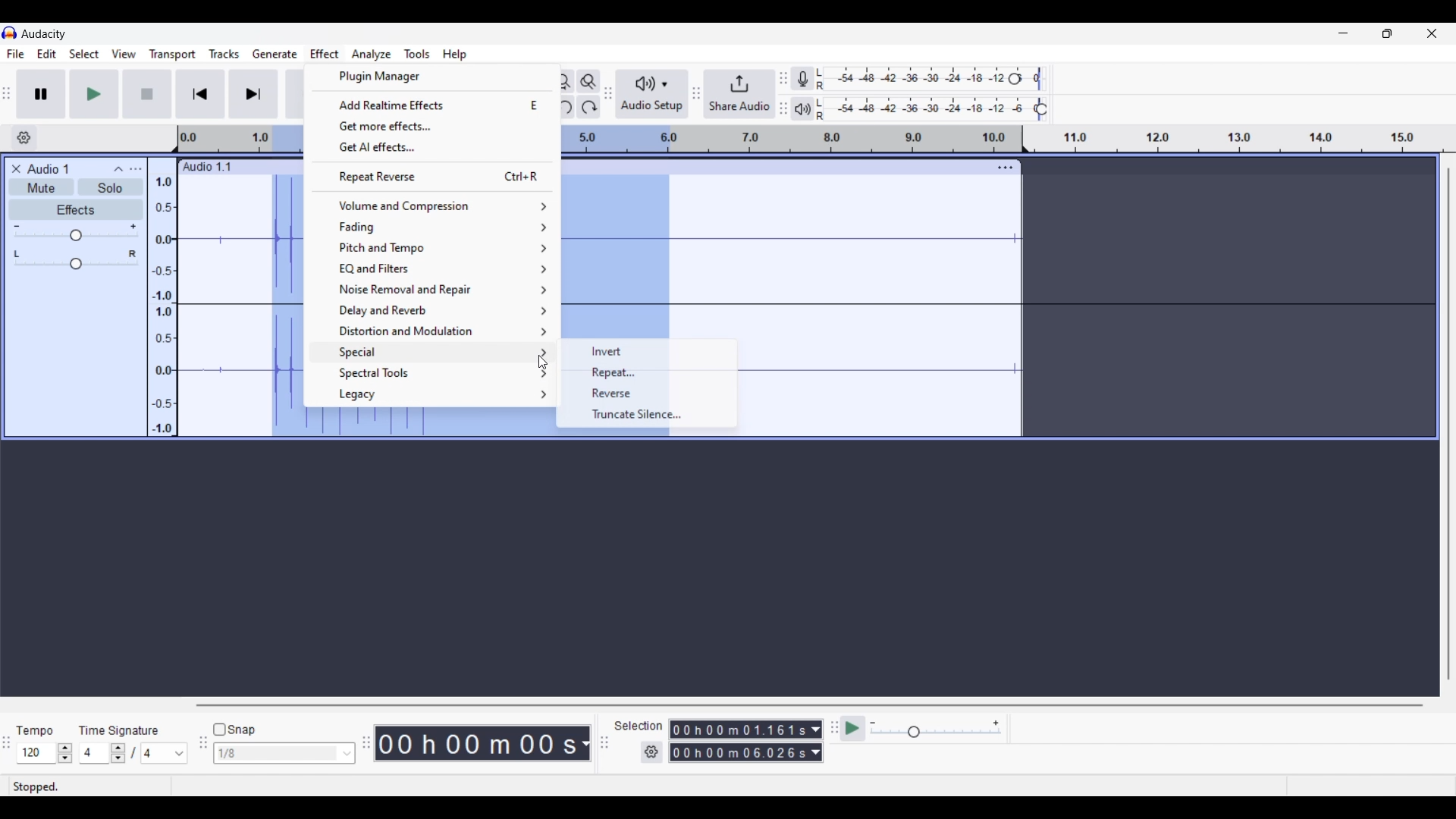 This screenshot has height=819, width=1456. What do you see at coordinates (432, 105) in the screenshot?
I see `Add realtime effects` at bounding box center [432, 105].